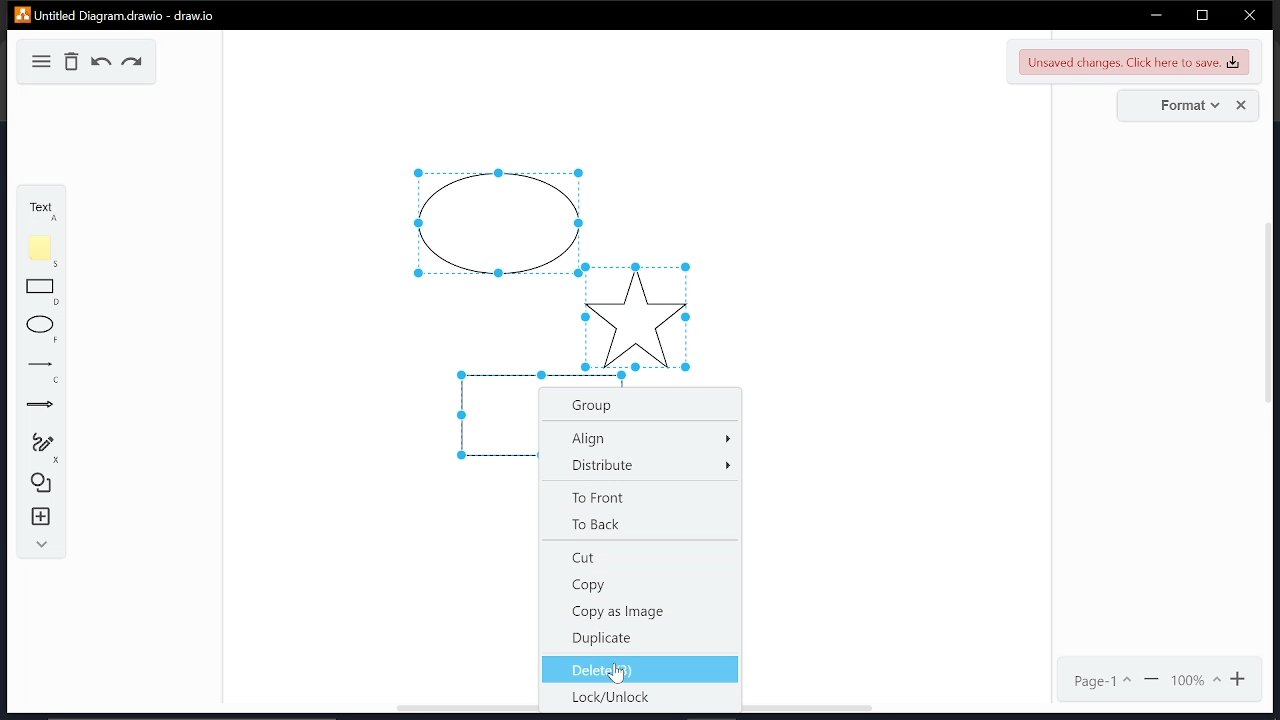 The height and width of the screenshot is (720, 1280). I want to click on lines, so click(44, 372).